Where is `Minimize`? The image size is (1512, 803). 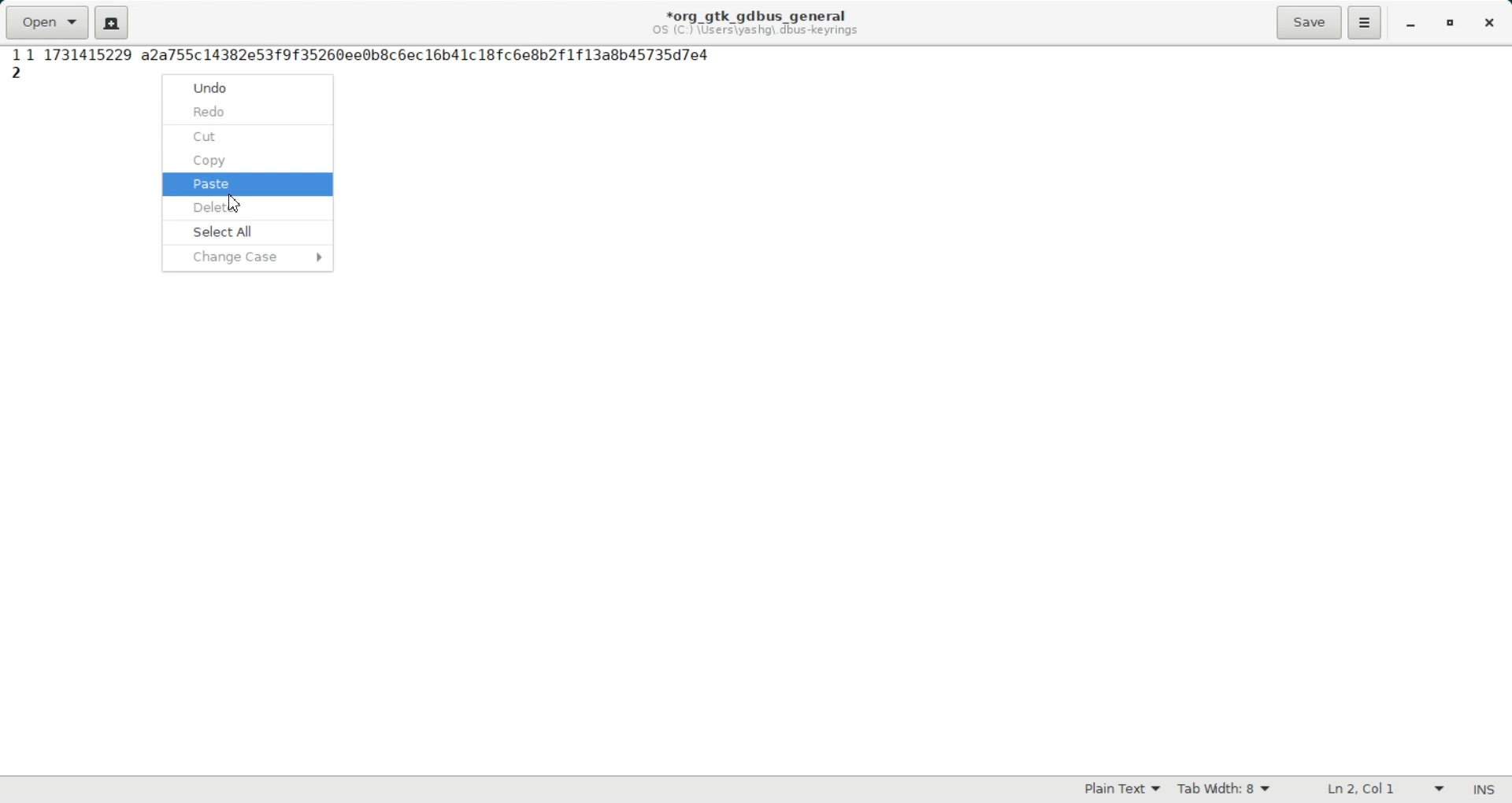 Minimize is located at coordinates (1410, 24).